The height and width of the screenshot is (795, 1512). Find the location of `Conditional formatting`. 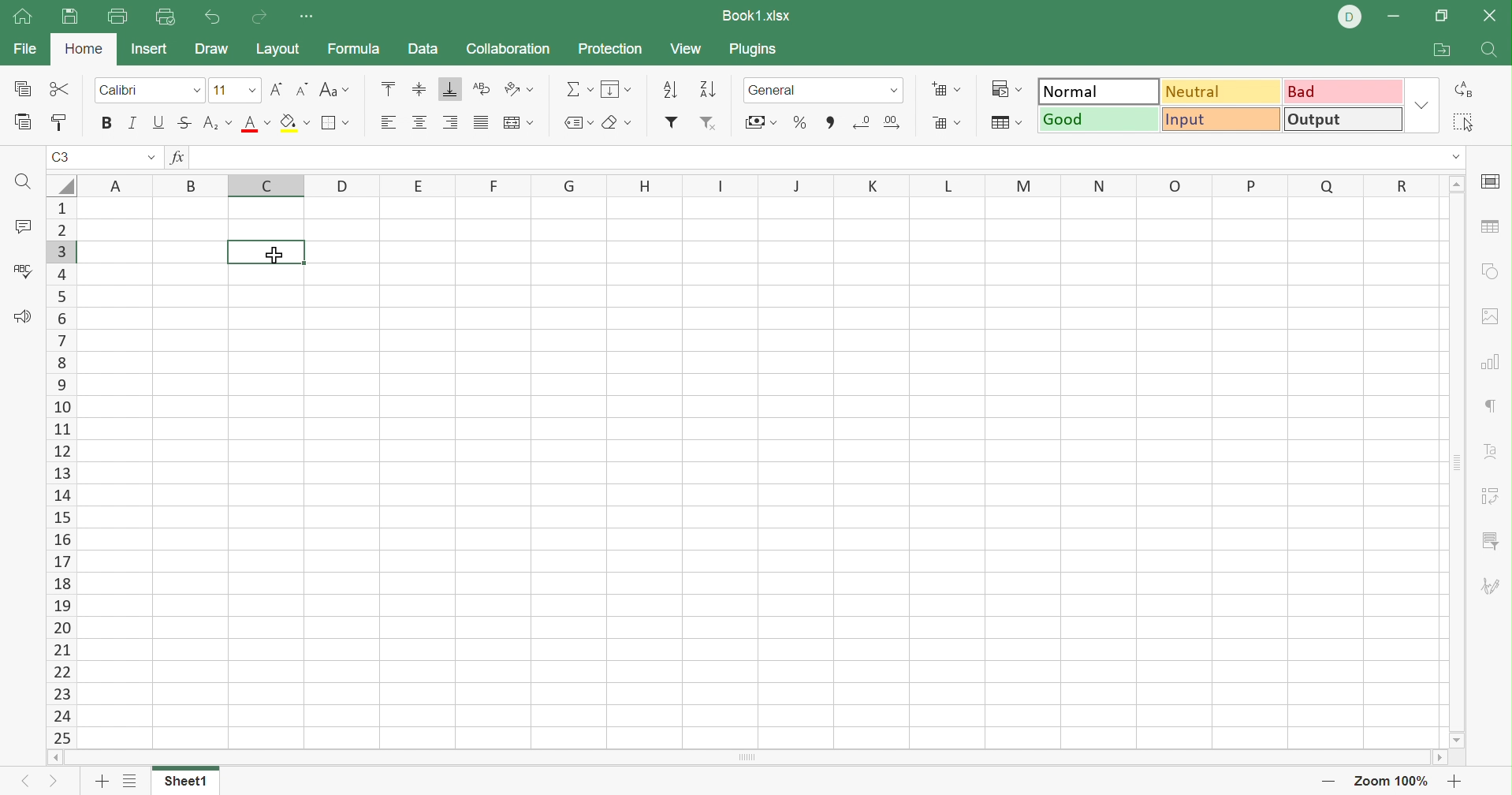

Conditional formatting is located at coordinates (1011, 87).